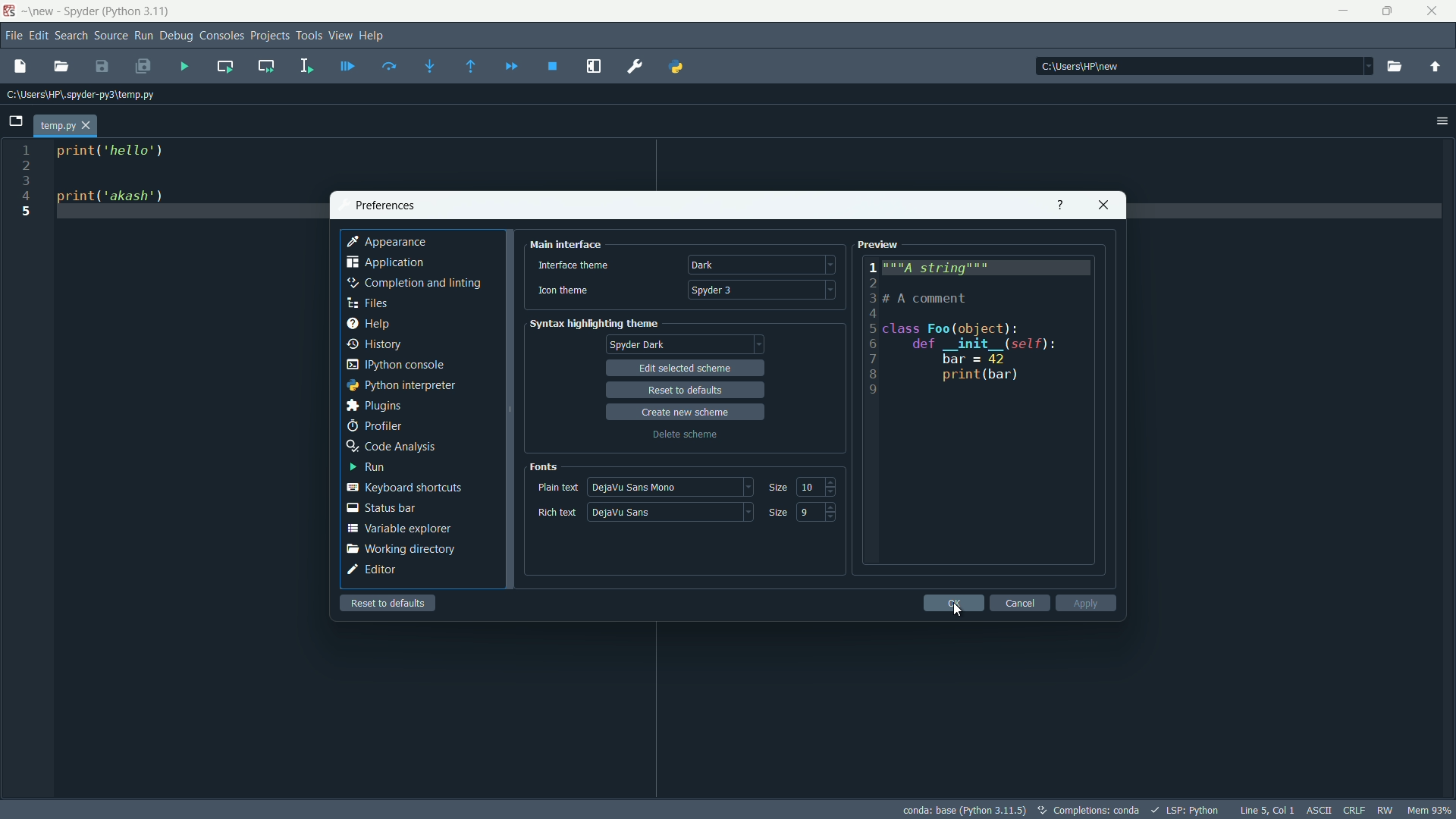 The height and width of the screenshot is (819, 1456). Describe the element at coordinates (373, 406) in the screenshot. I see `plugins` at that location.